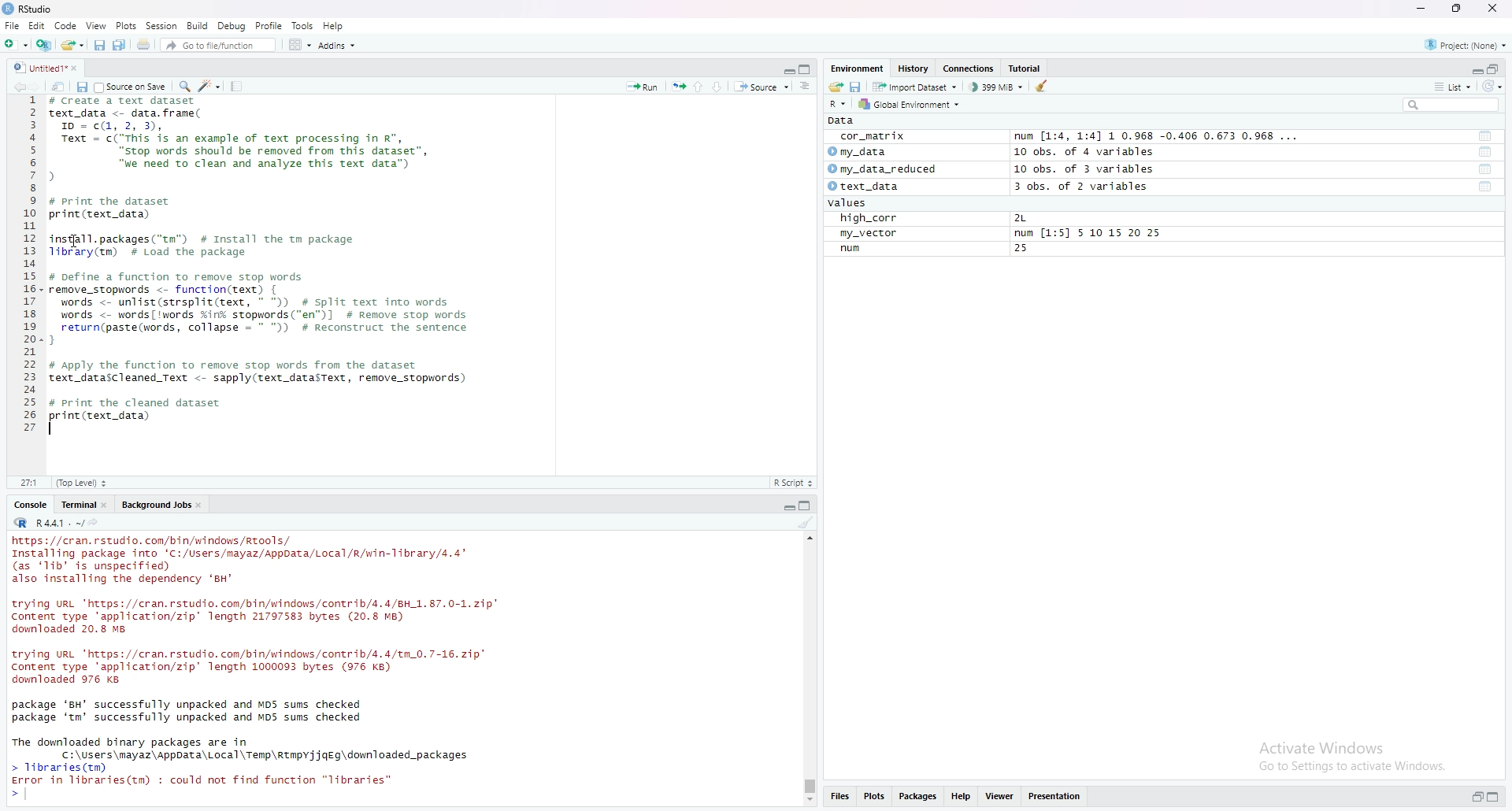 This screenshot has width=1512, height=811. Describe the element at coordinates (1487, 153) in the screenshot. I see `functions` at that location.